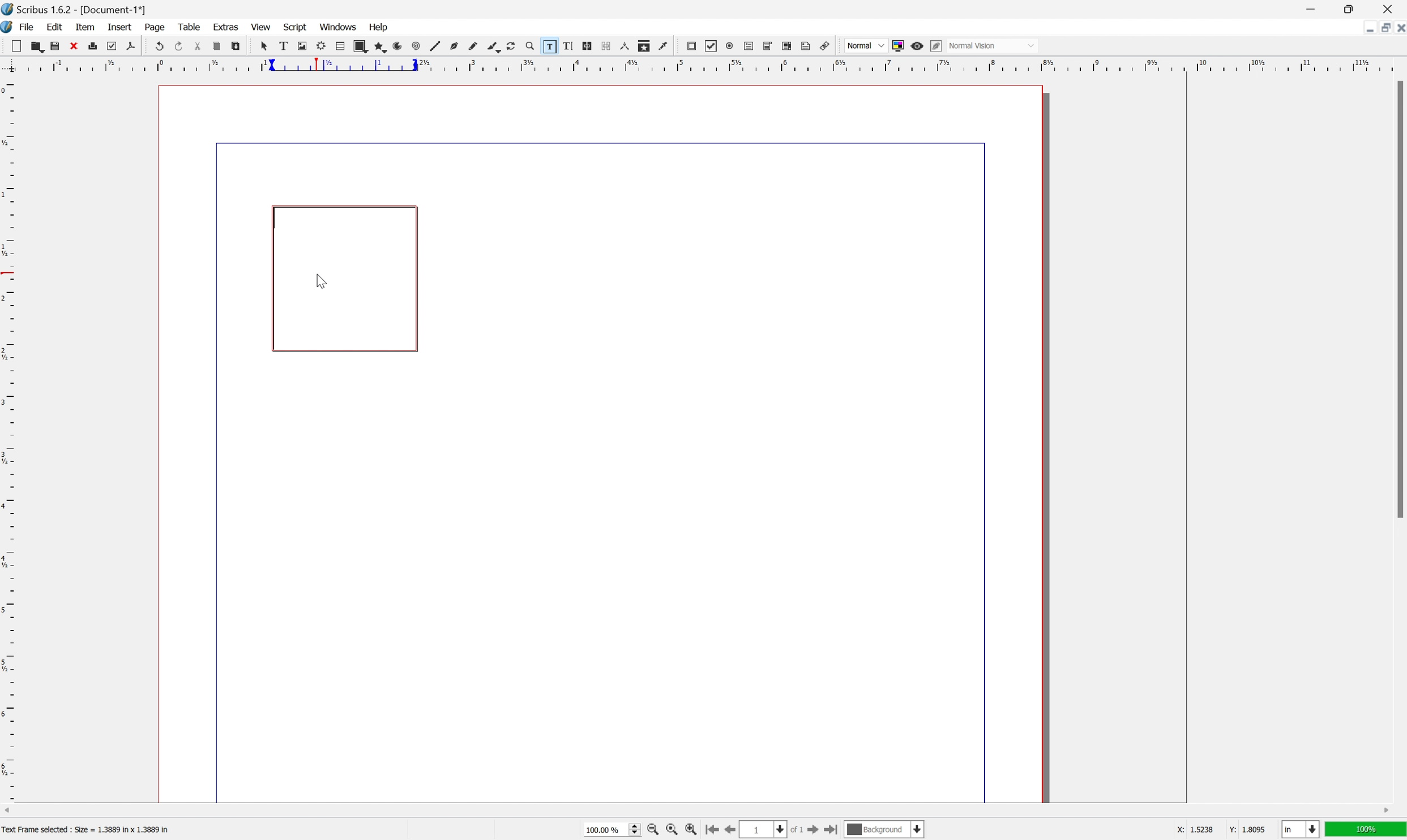 This screenshot has width=1407, height=840. What do you see at coordinates (529, 46) in the screenshot?
I see `zoom in zoom out` at bounding box center [529, 46].